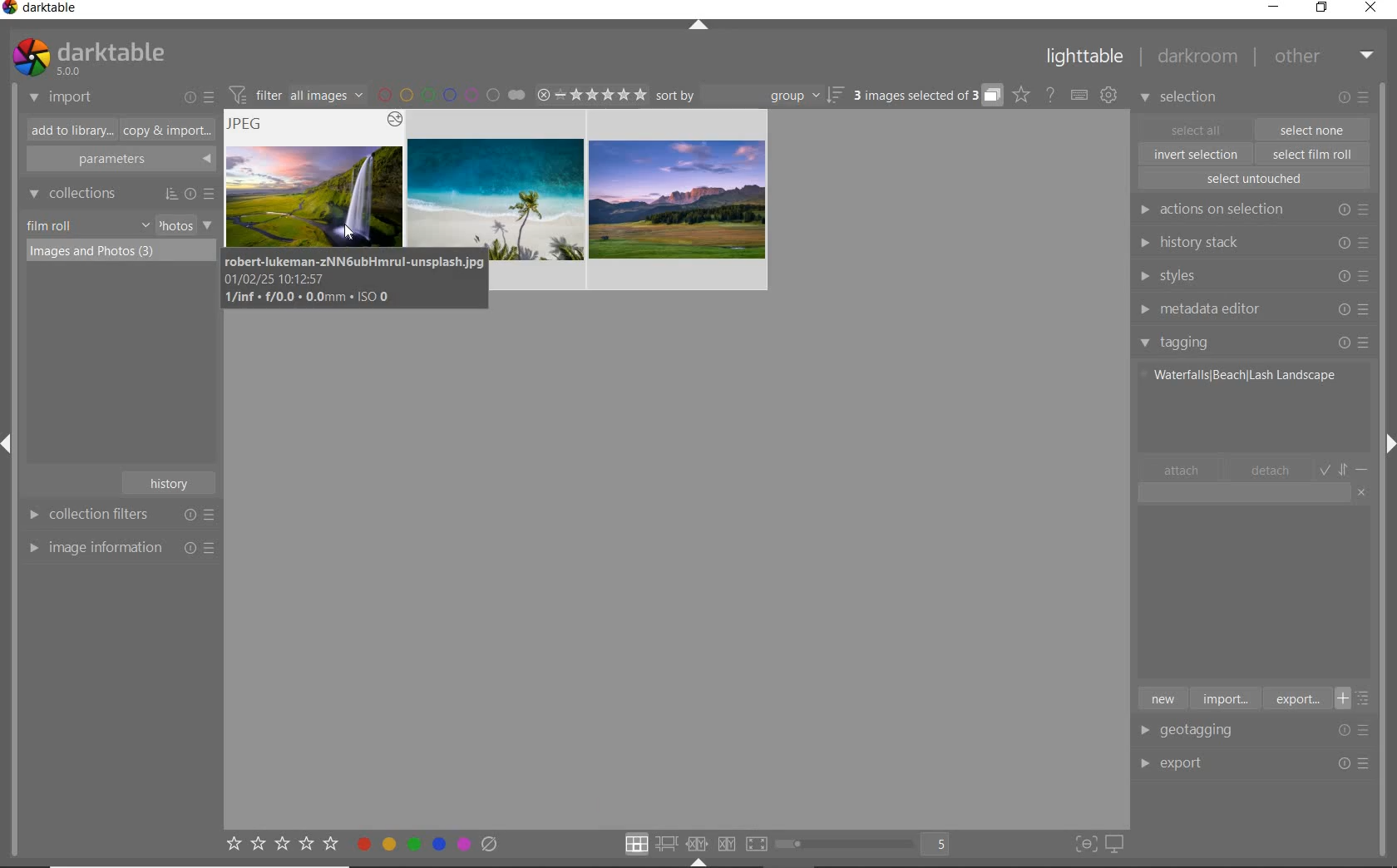  I want to click on toggle color label of selected images, so click(428, 843).